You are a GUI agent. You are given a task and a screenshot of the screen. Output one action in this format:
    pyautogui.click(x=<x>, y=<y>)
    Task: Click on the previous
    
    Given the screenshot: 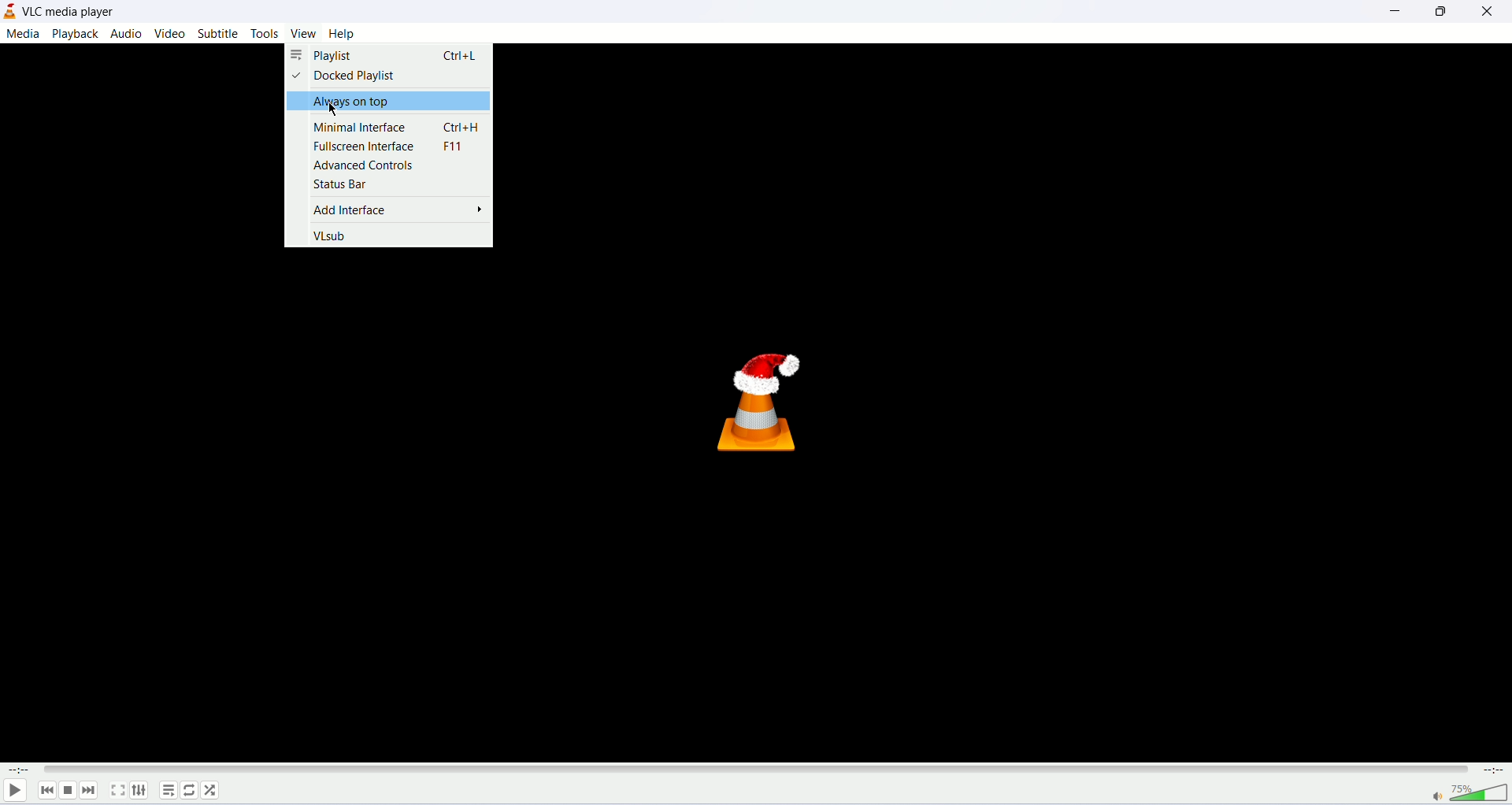 What is the action you would take?
    pyautogui.click(x=43, y=790)
    